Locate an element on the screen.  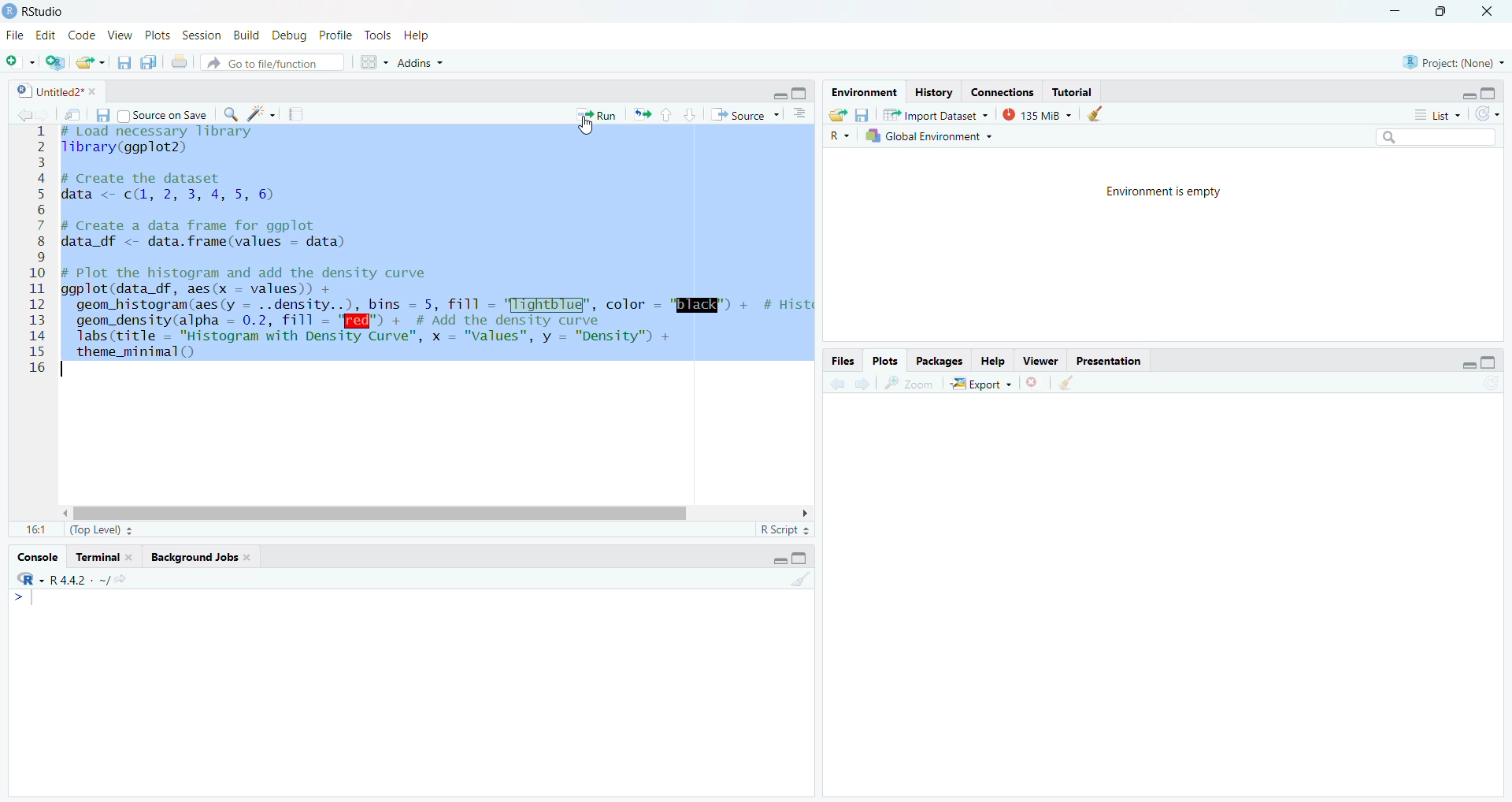
close is located at coordinates (249, 557).